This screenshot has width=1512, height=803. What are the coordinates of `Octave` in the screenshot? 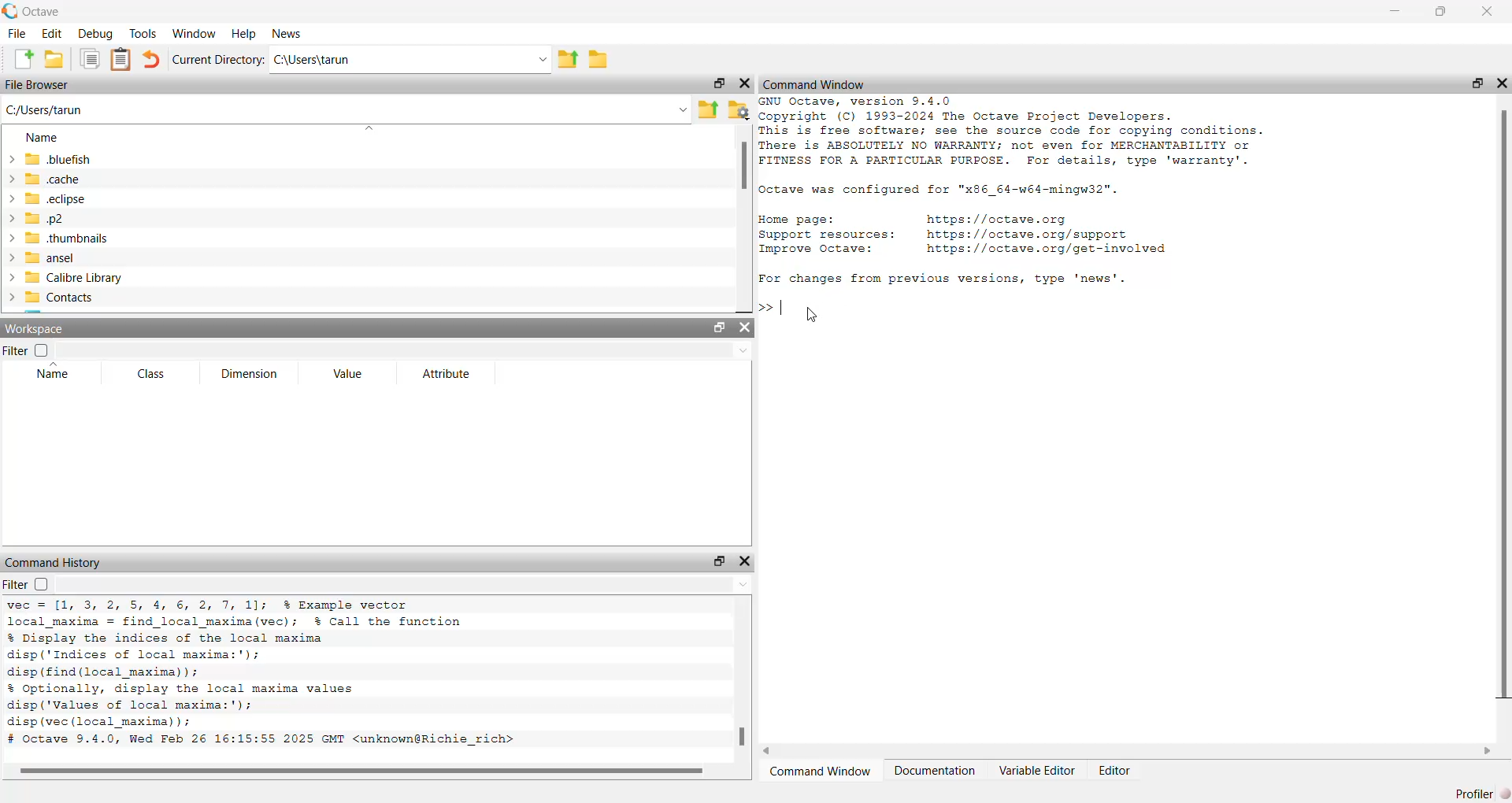 It's located at (42, 12).